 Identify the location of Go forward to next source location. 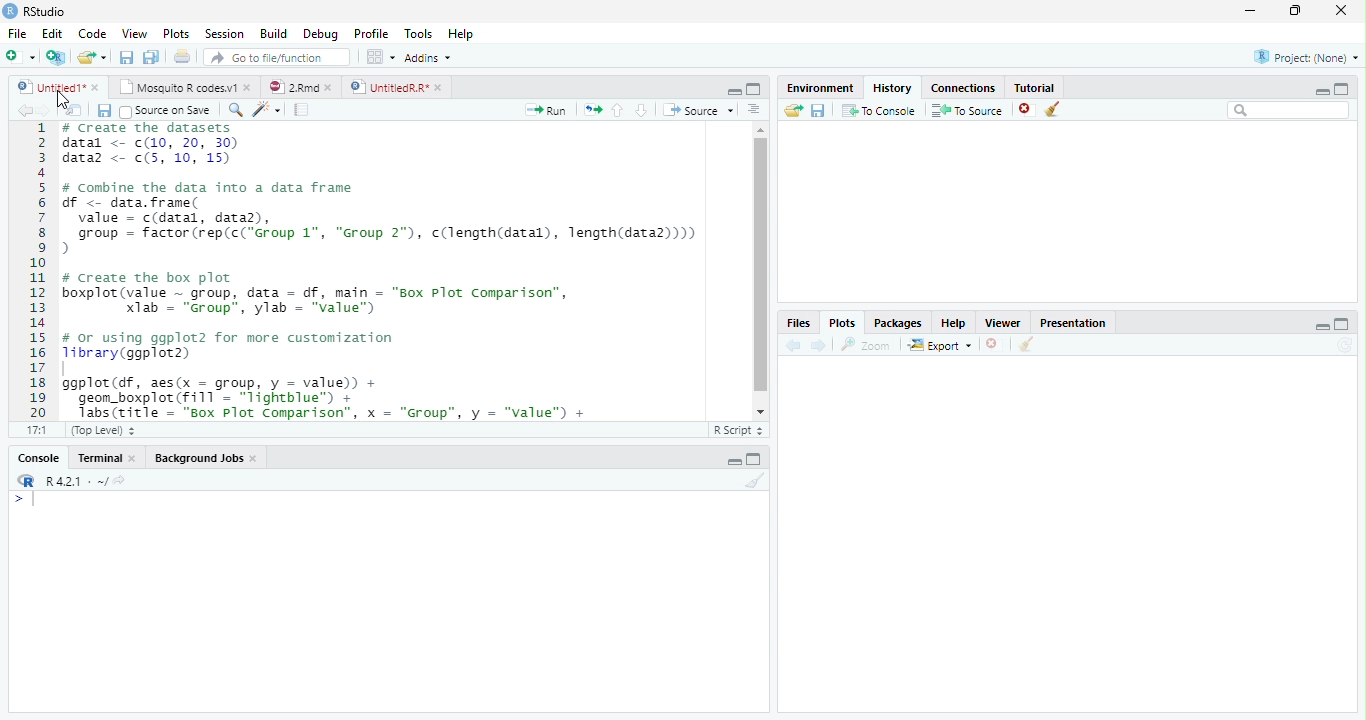
(44, 111).